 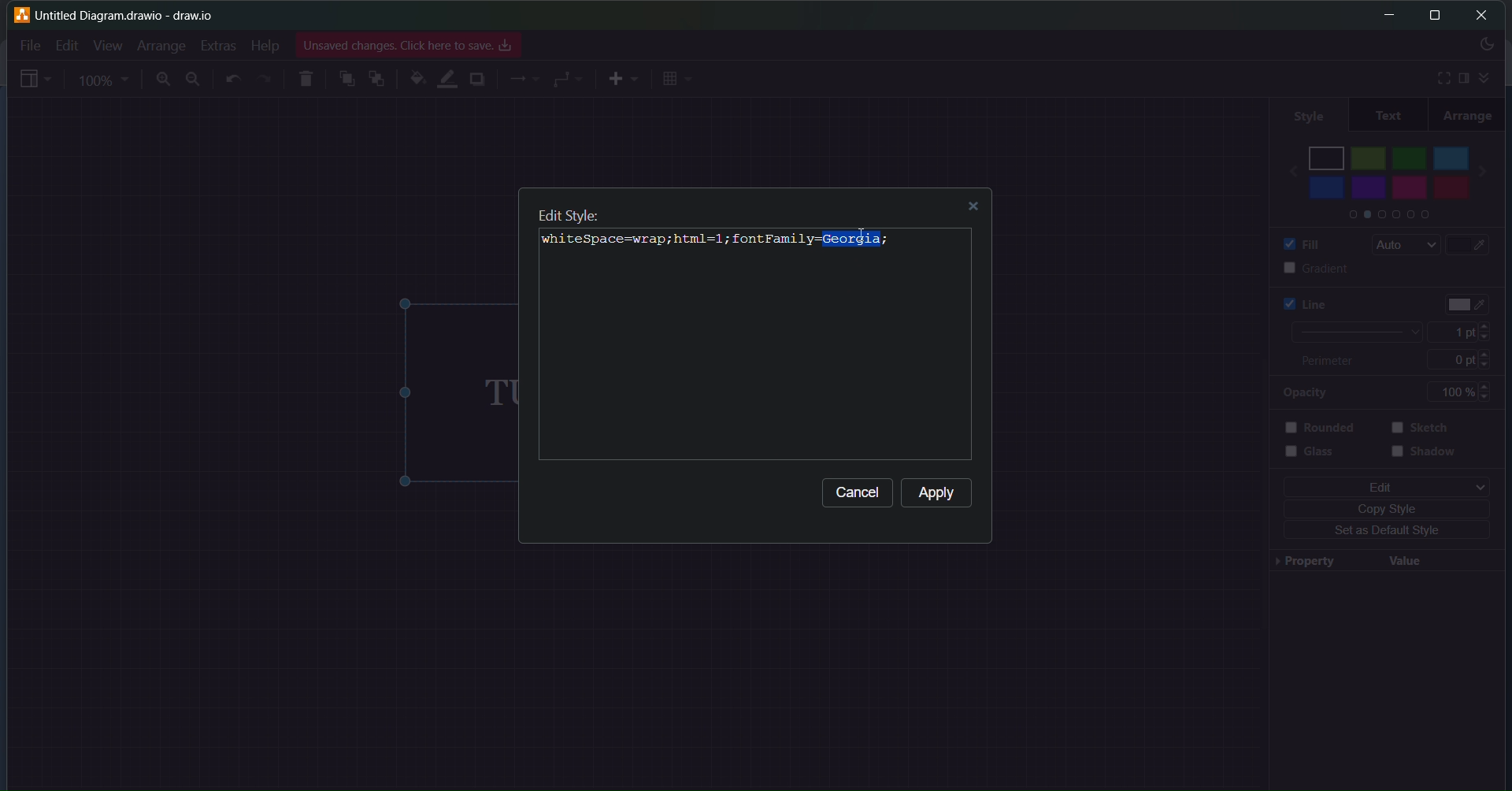 What do you see at coordinates (939, 494) in the screenshot?
I see `Apply` at bounding box center [939, 494].